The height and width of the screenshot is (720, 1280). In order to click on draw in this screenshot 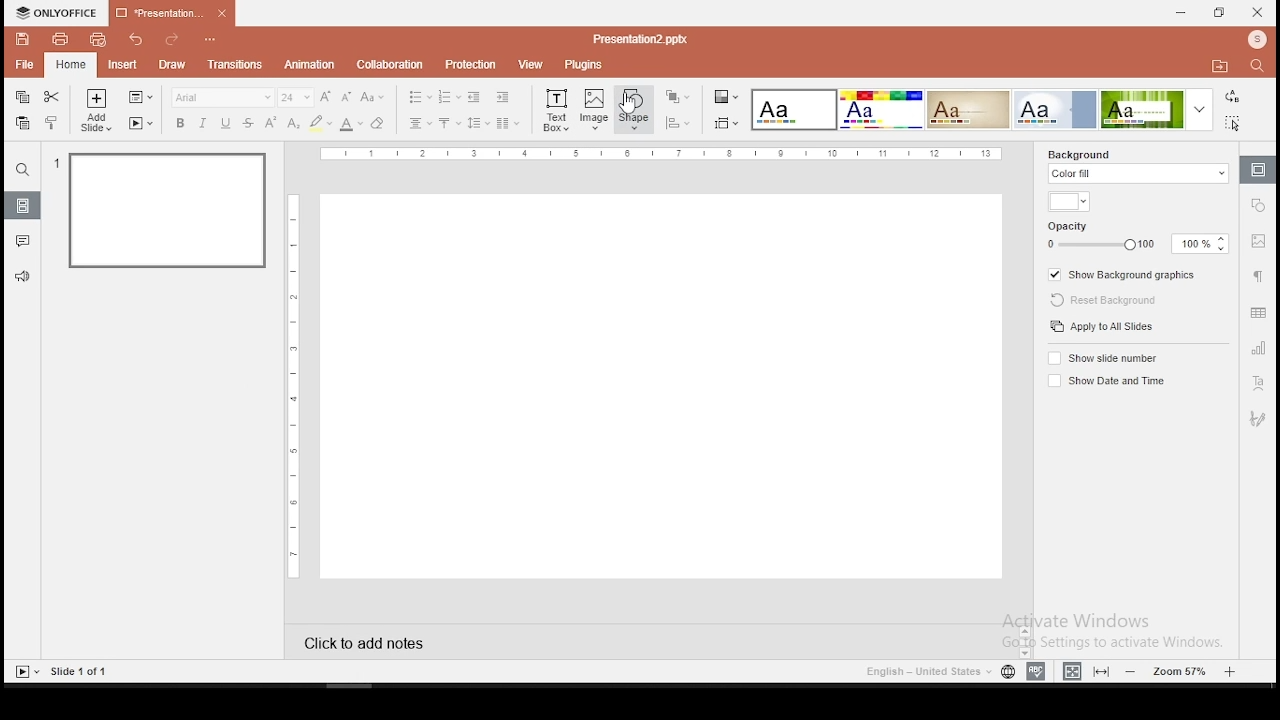, I will do `click(173, 65)`.